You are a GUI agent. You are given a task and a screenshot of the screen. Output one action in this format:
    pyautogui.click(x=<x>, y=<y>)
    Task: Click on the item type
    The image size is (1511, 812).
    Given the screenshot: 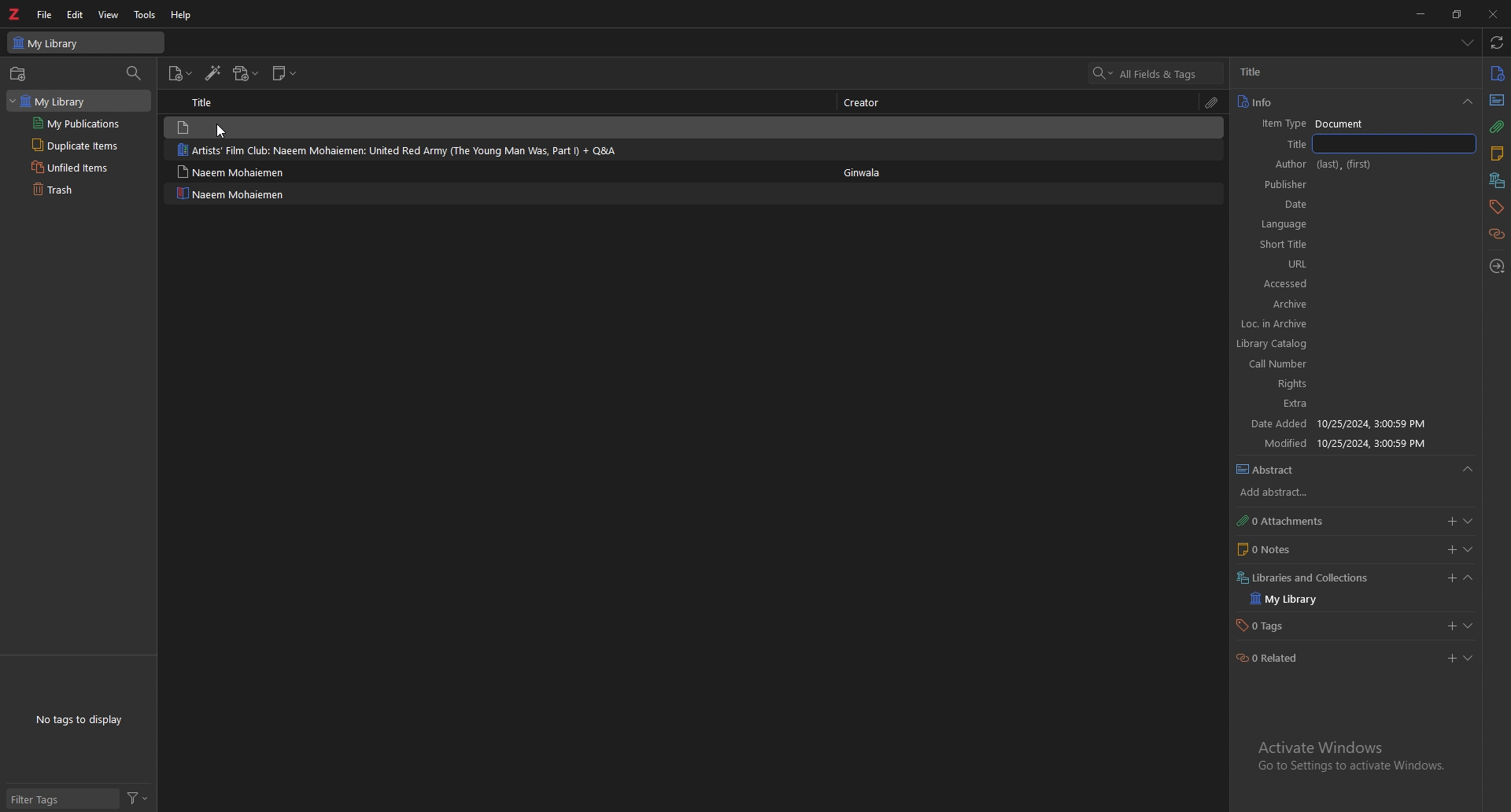 What is the action you would take?
    pyautogui.click(x=1315, y=124)
    